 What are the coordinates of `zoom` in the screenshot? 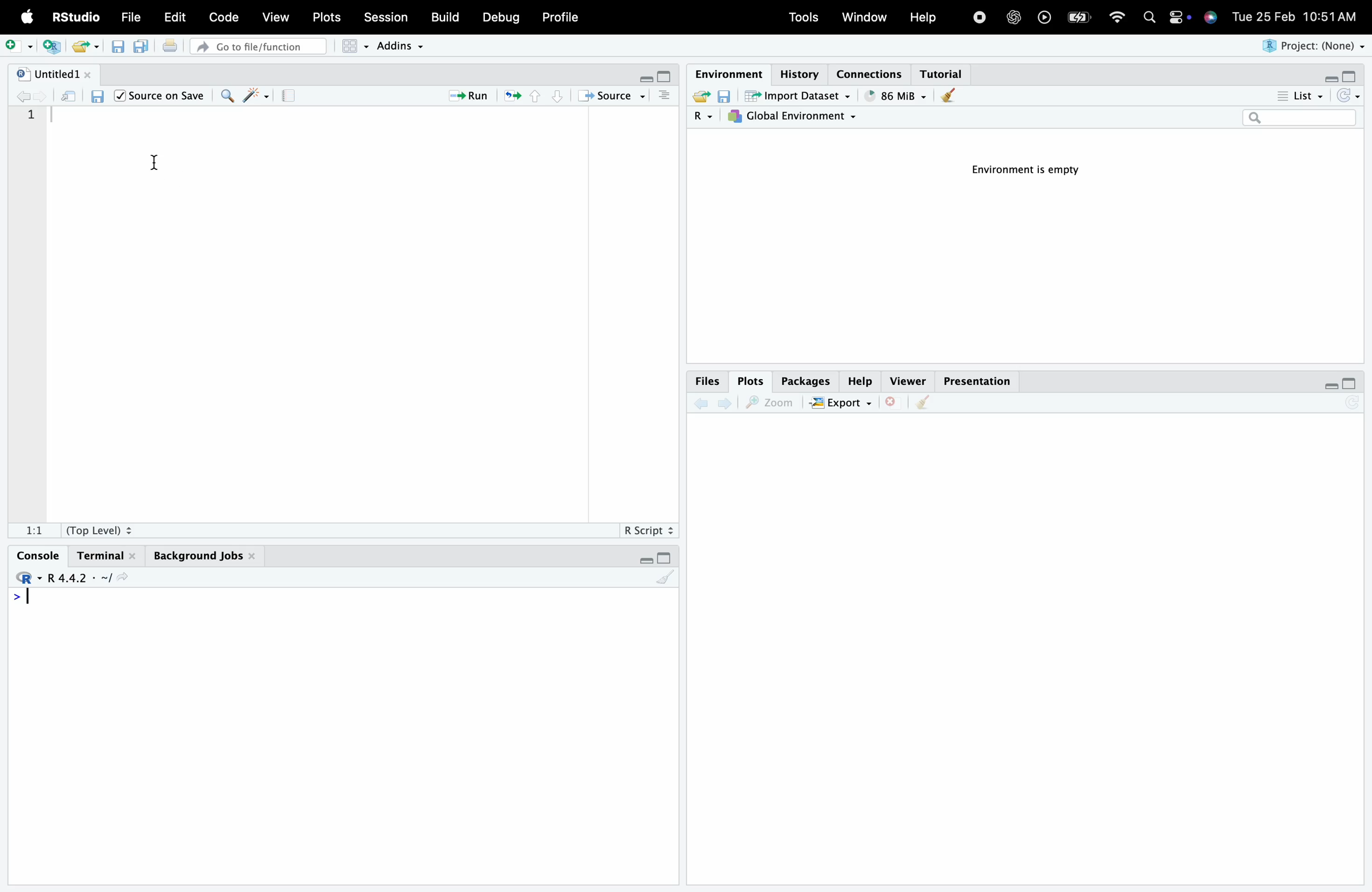 It's located at (771, 403).